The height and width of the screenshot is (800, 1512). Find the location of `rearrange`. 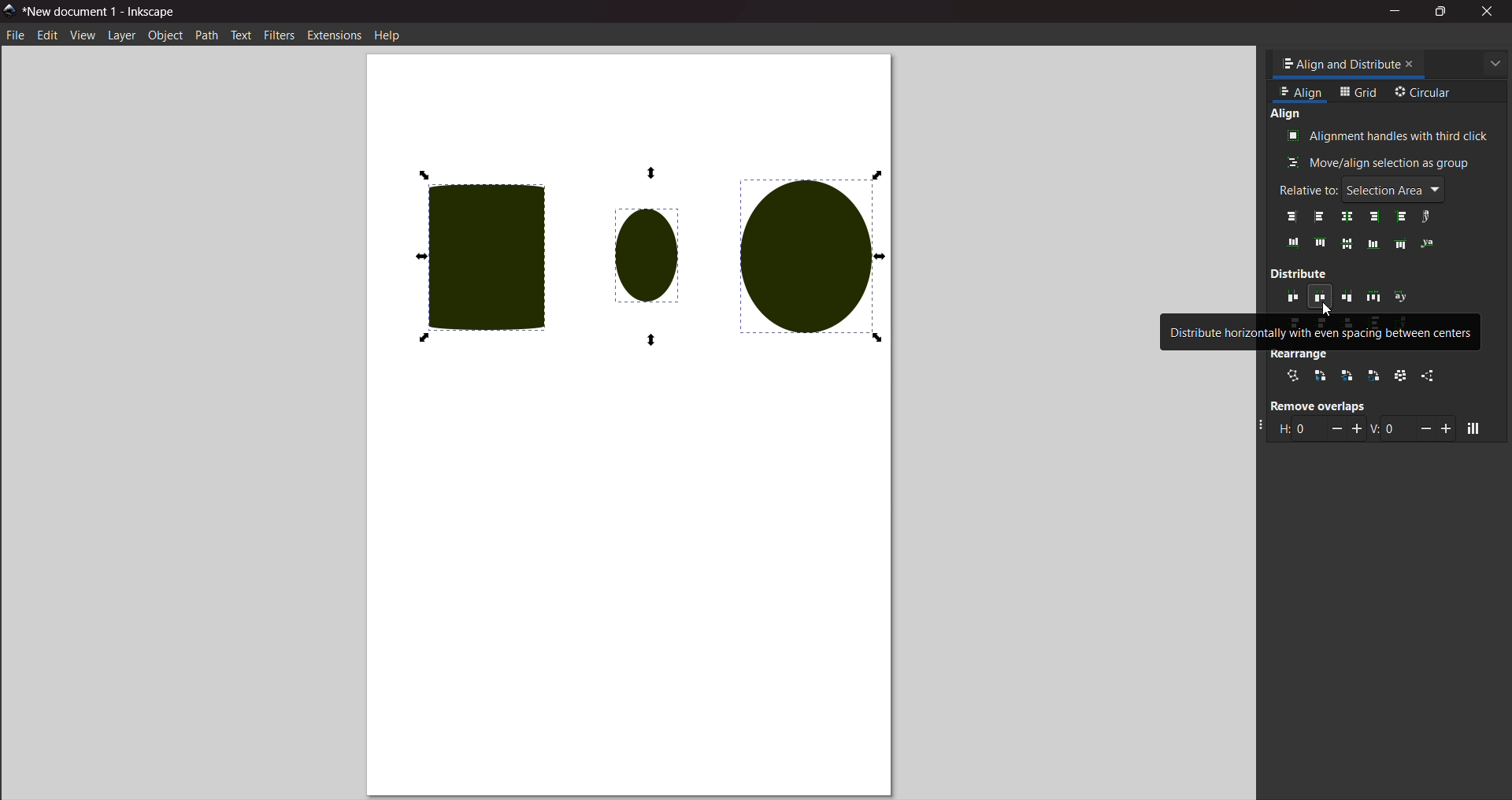

rearrange is located at coordinates (1302, 357).